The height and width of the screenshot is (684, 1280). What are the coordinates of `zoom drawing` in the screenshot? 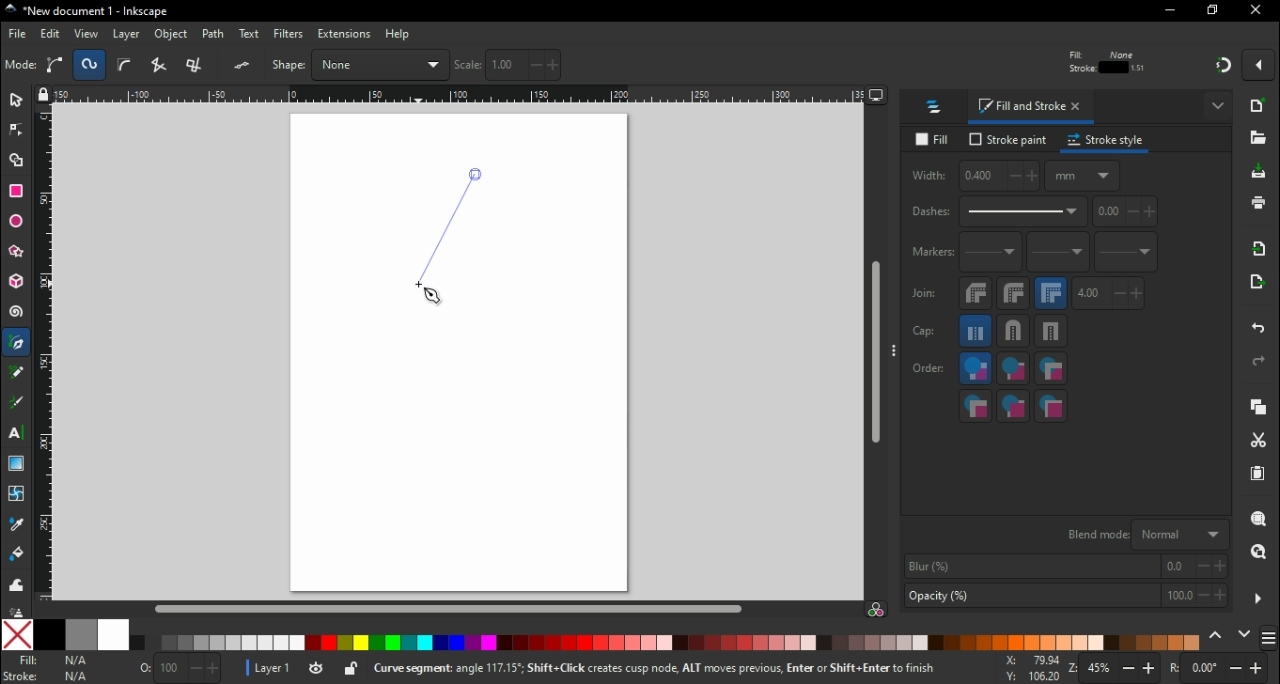 It's located at (1258, 553).